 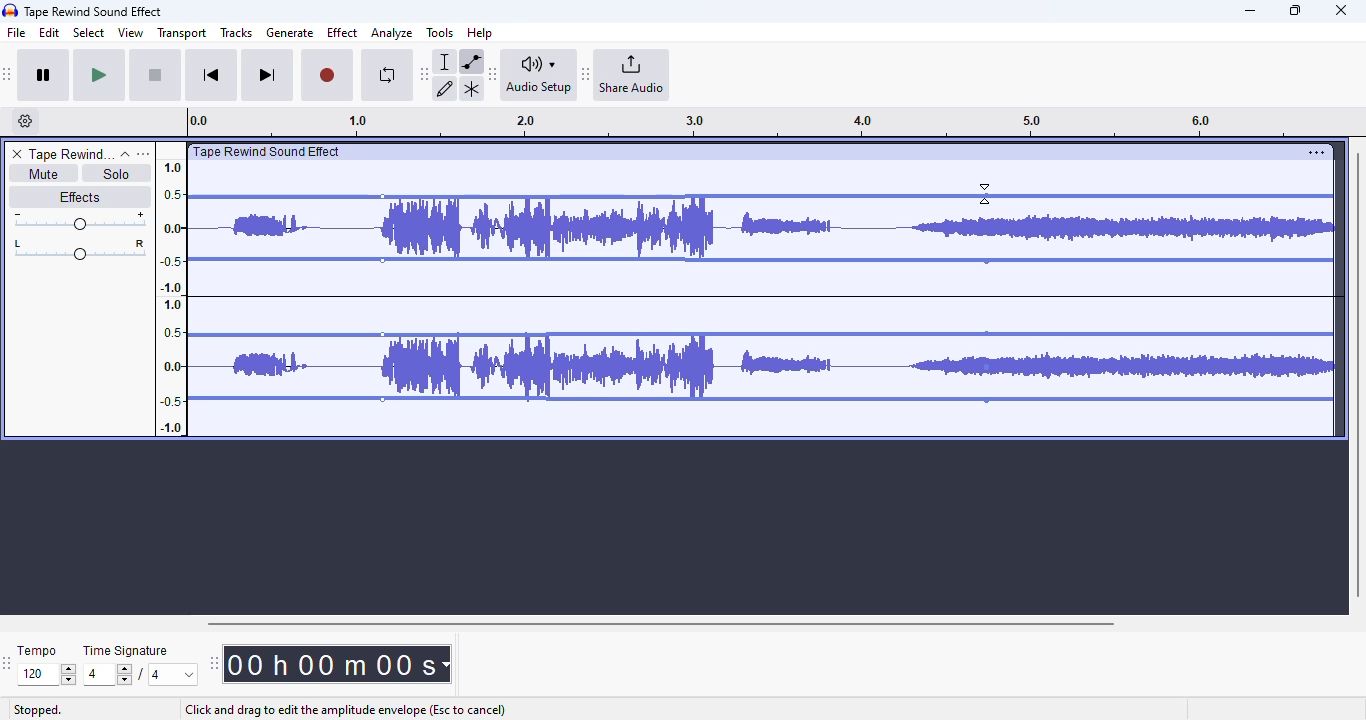 I want to click on play, so click(x=99, y=76).